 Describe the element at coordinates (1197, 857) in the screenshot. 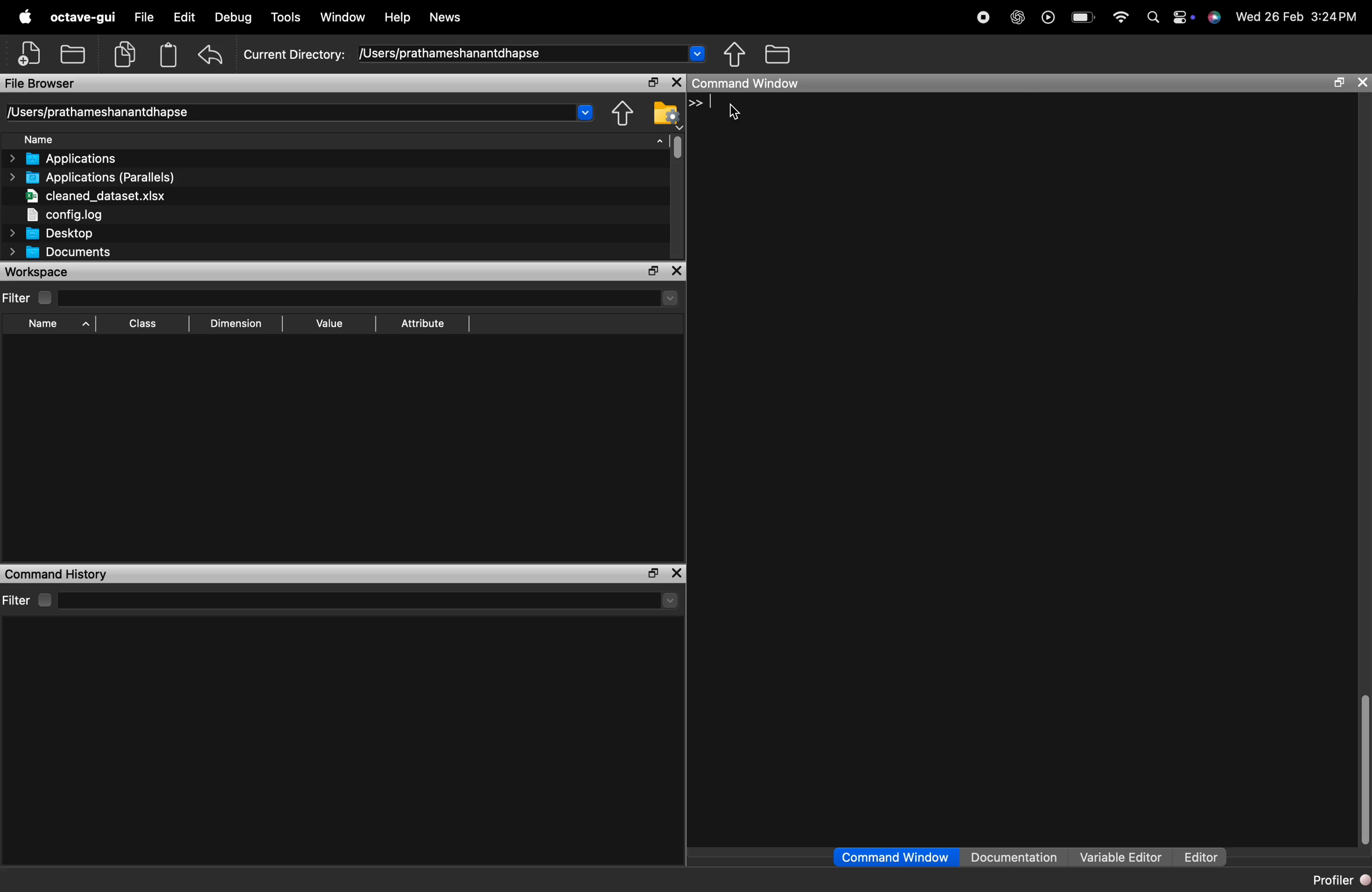

I see `Editor` at that location.